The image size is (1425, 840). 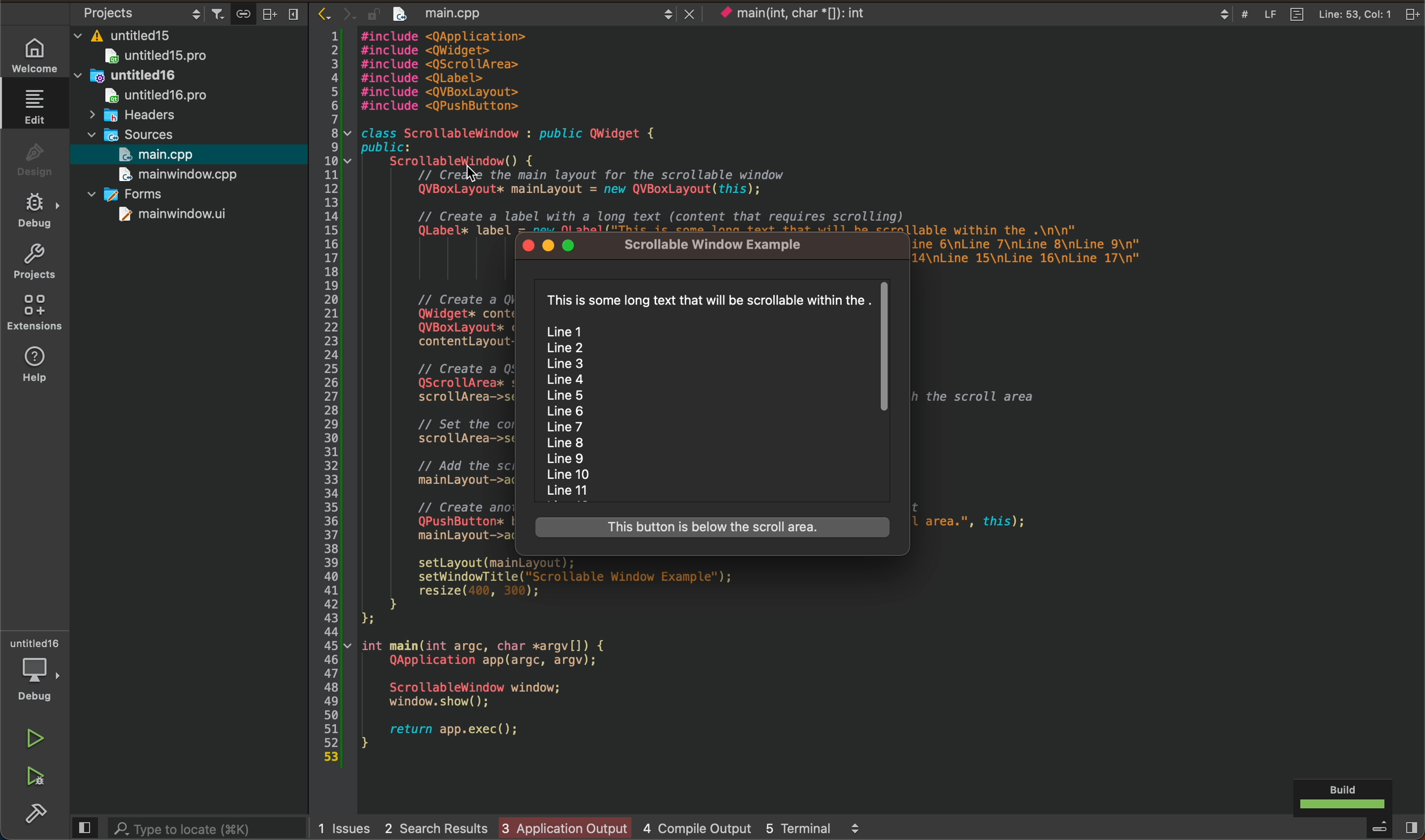 I want to click on extensions, so click(x=35, y=312).